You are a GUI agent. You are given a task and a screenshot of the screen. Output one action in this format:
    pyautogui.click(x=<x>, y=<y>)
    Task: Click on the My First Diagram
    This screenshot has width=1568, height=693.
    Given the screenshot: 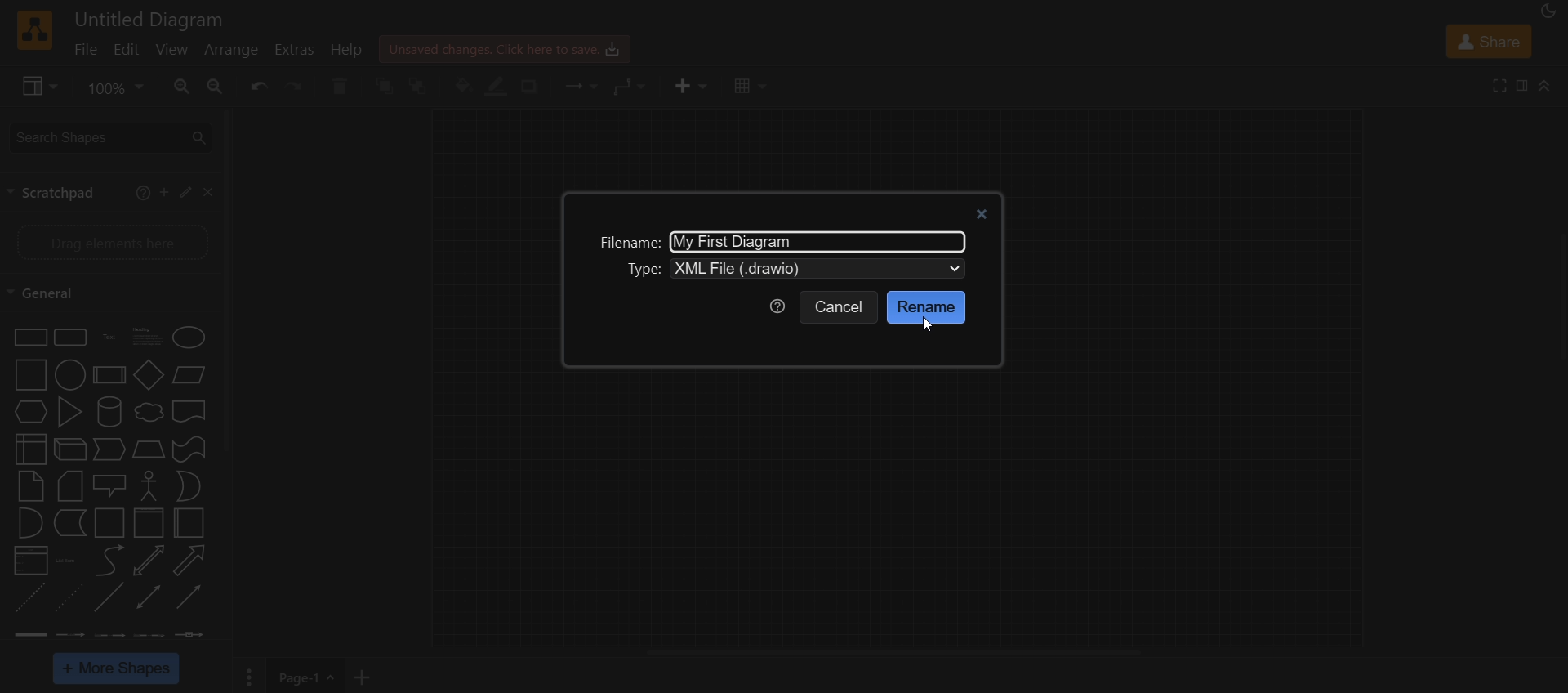 What is the action you would take?
    pyautogui.click(x=738, y=240)
    